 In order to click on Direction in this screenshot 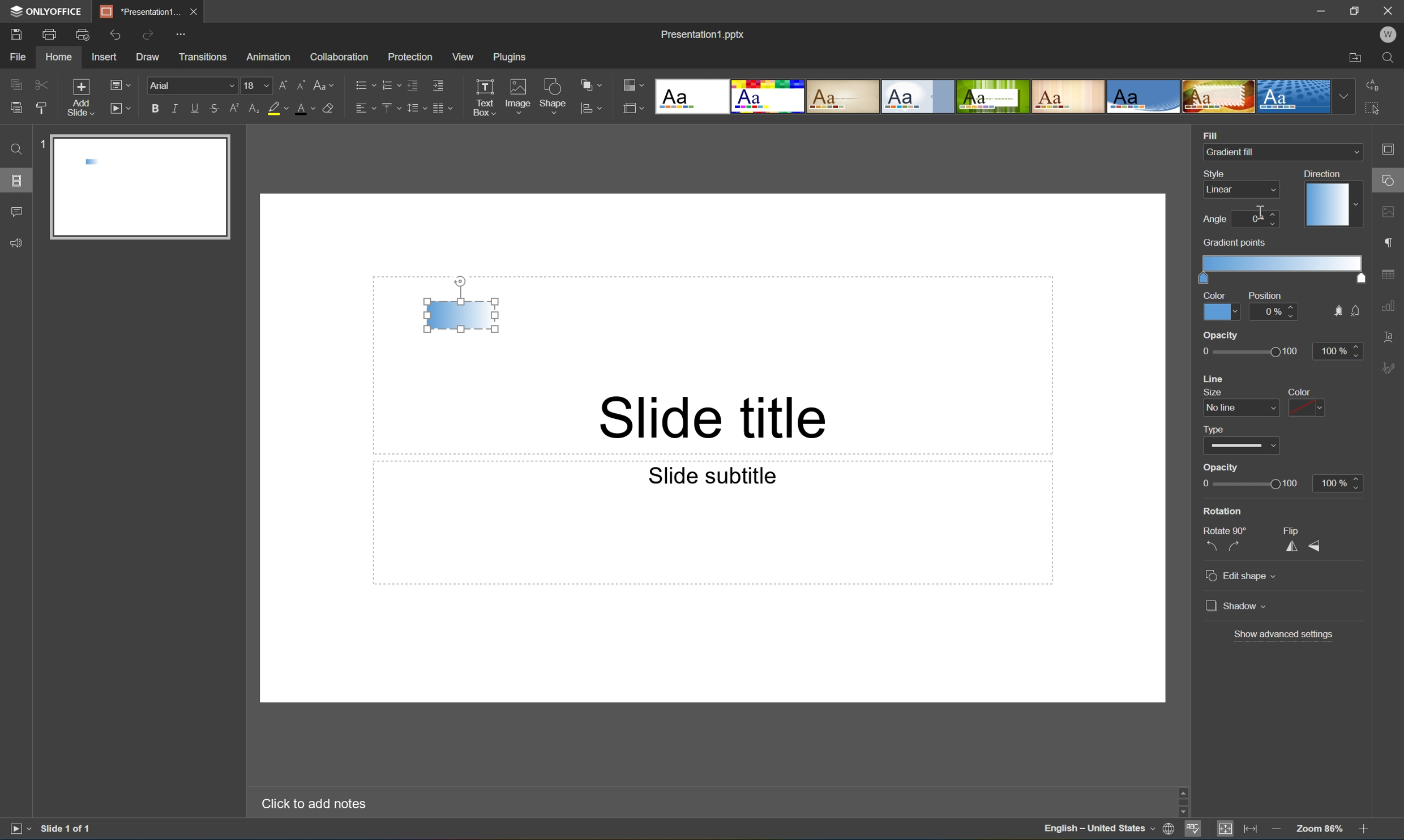, I will do `click(1321, 173)`.